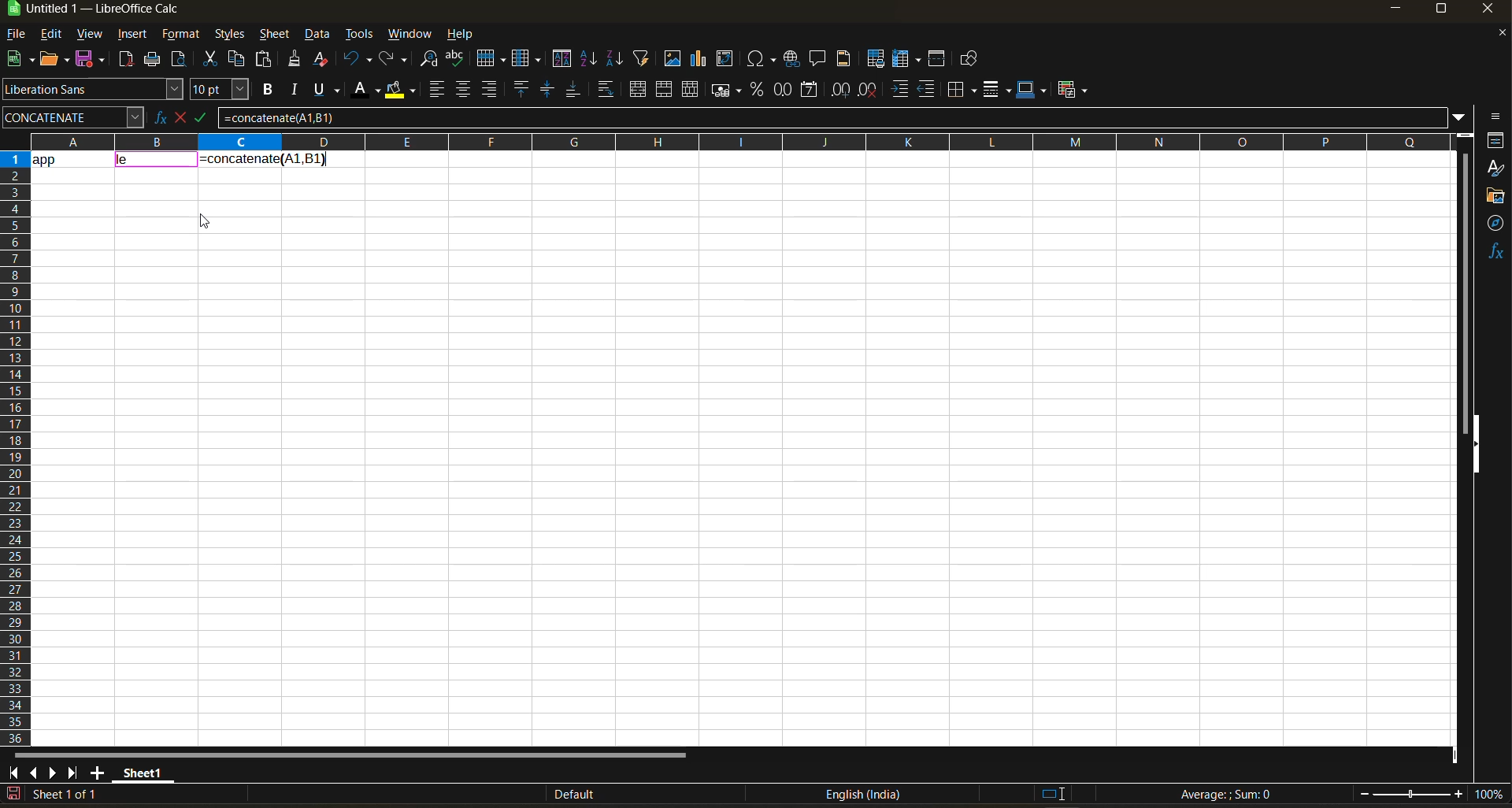 Image resolution: width=1512 pixels, height=808 pixels. Describe the element at coordinates (454, 60) in the screenshot. I see `spelling` at that location.